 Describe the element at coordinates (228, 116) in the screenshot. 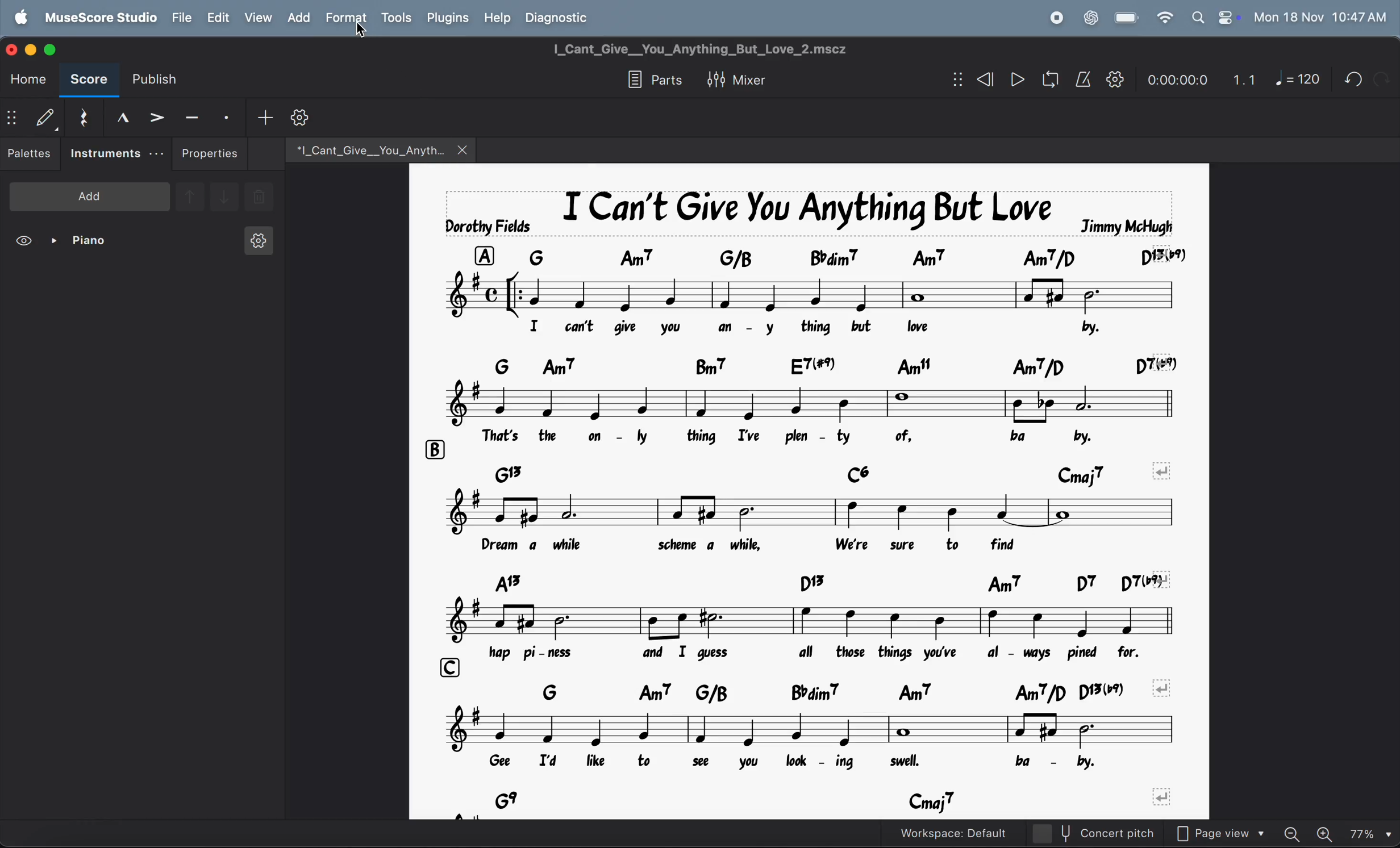

I see `staccato` at that location.